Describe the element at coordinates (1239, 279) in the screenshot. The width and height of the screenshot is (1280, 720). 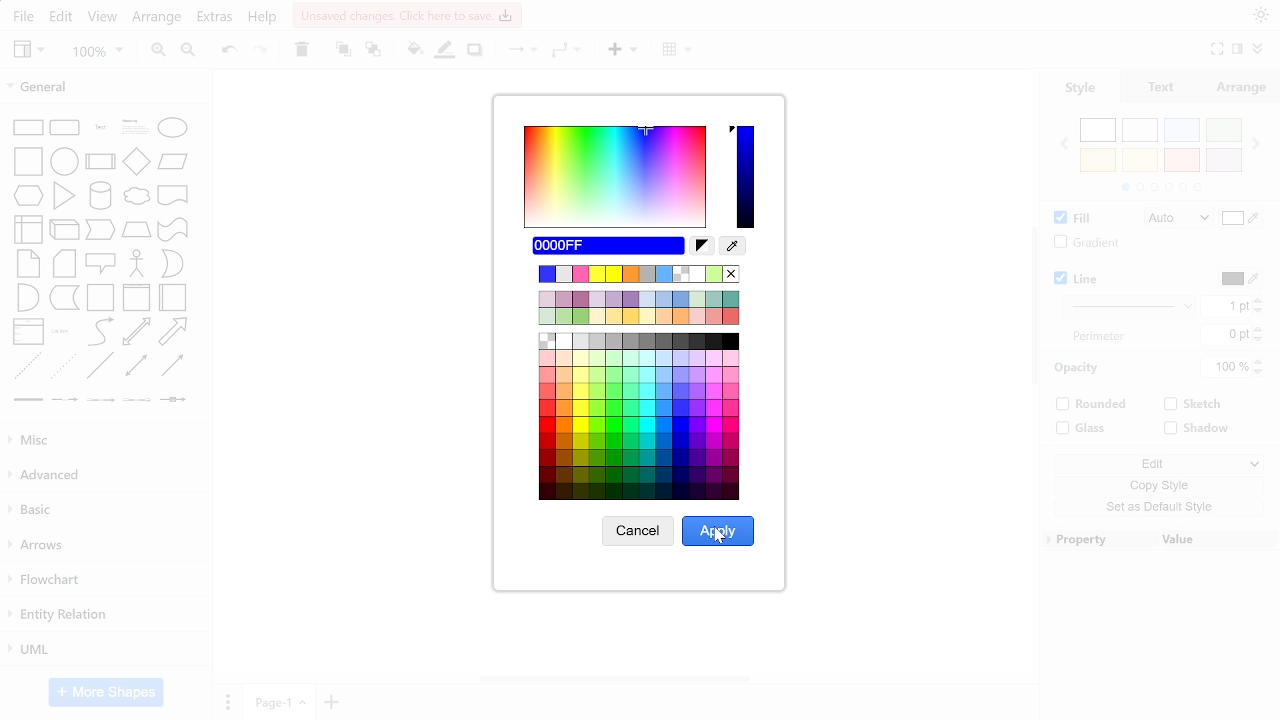
I see `line color` at that location.